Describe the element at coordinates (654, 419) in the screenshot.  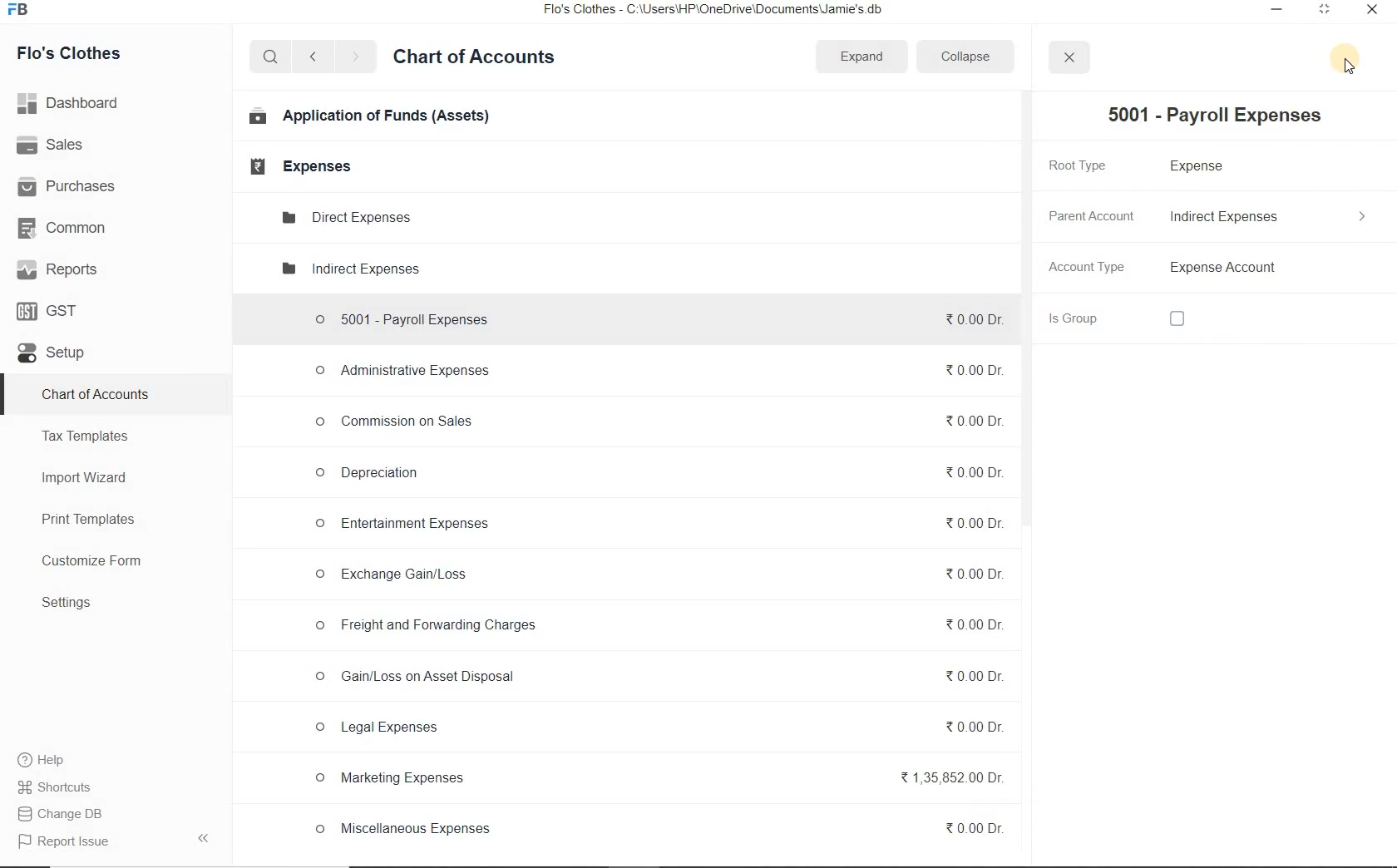
I see `oO Commission on Sales % 0.00 Dr.` at that location.